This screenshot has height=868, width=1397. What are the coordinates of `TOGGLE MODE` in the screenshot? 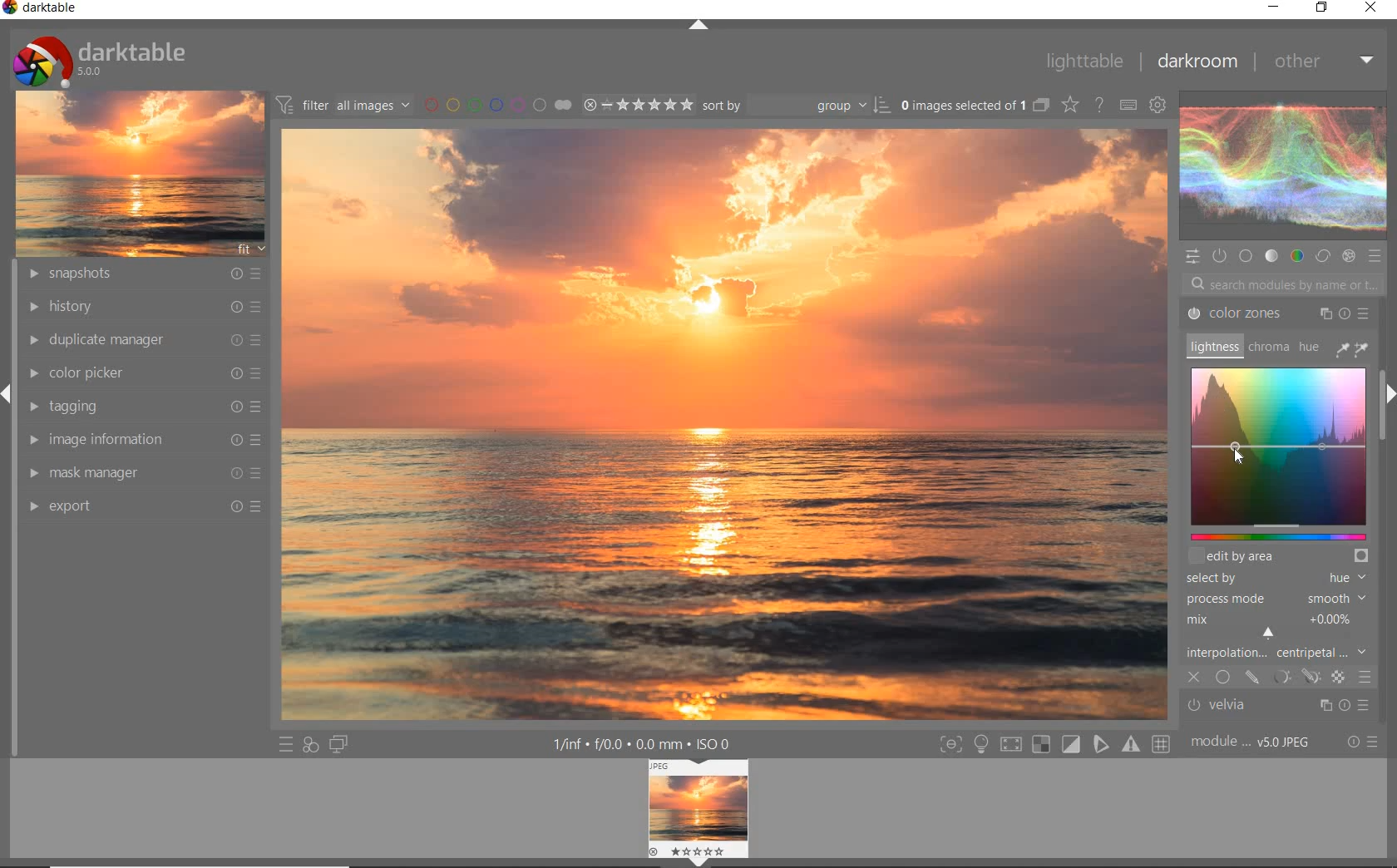 It's located at (1054, 744).